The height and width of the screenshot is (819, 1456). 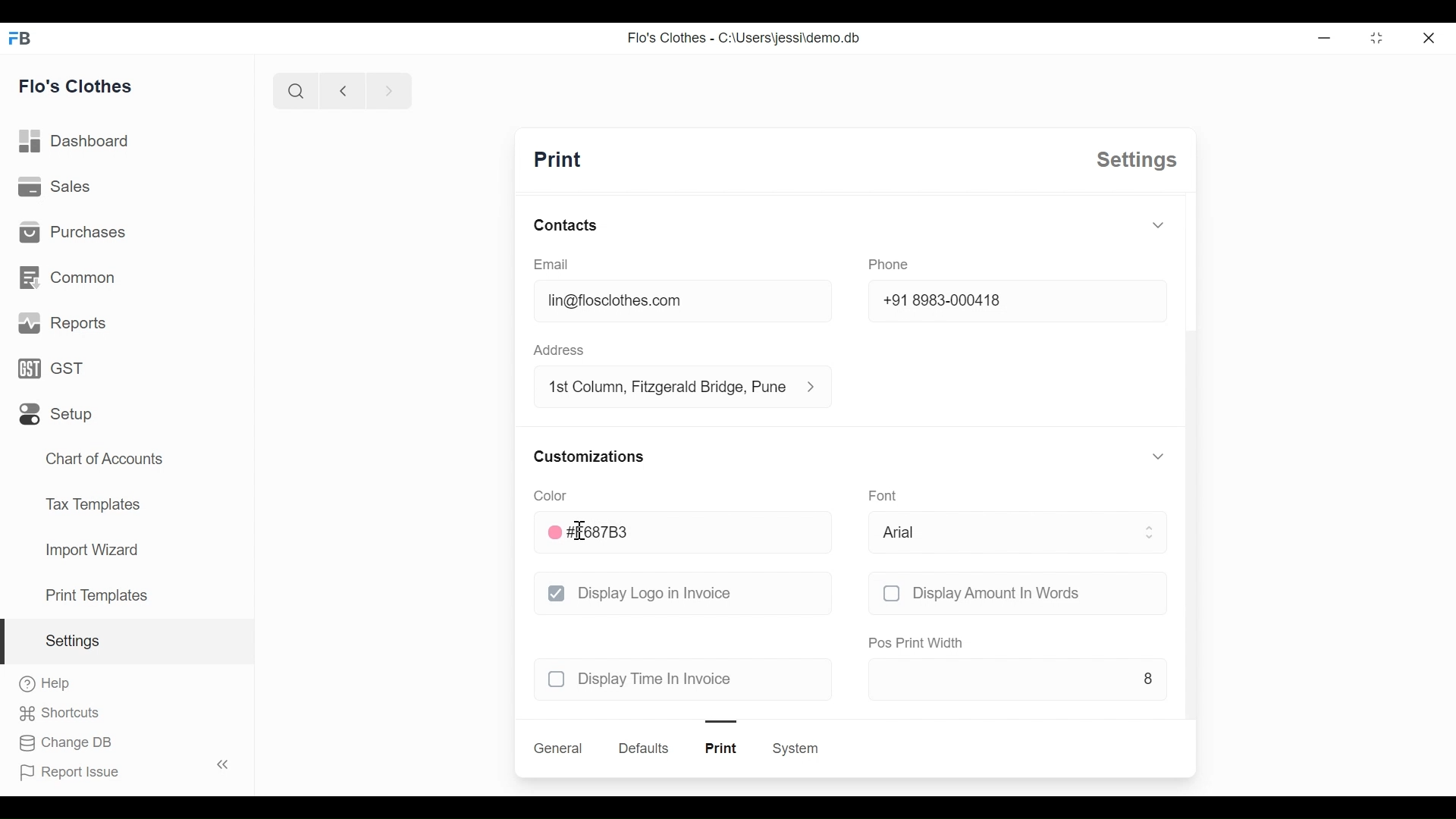 What do you see at coordinates (64, 743) in the screenshot?
I see `change DB` at bounding box center [64, 743].